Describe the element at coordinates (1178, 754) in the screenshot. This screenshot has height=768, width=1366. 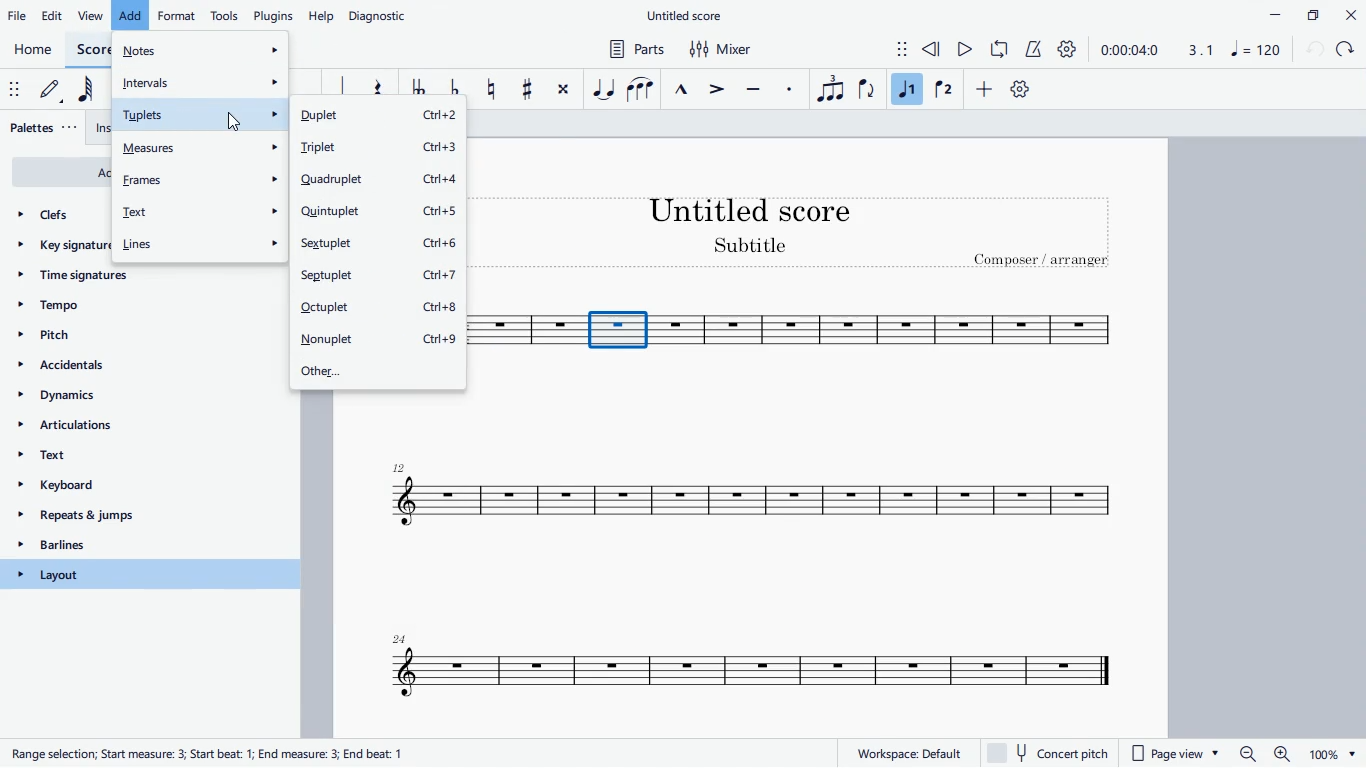
I see `page view` at that location.